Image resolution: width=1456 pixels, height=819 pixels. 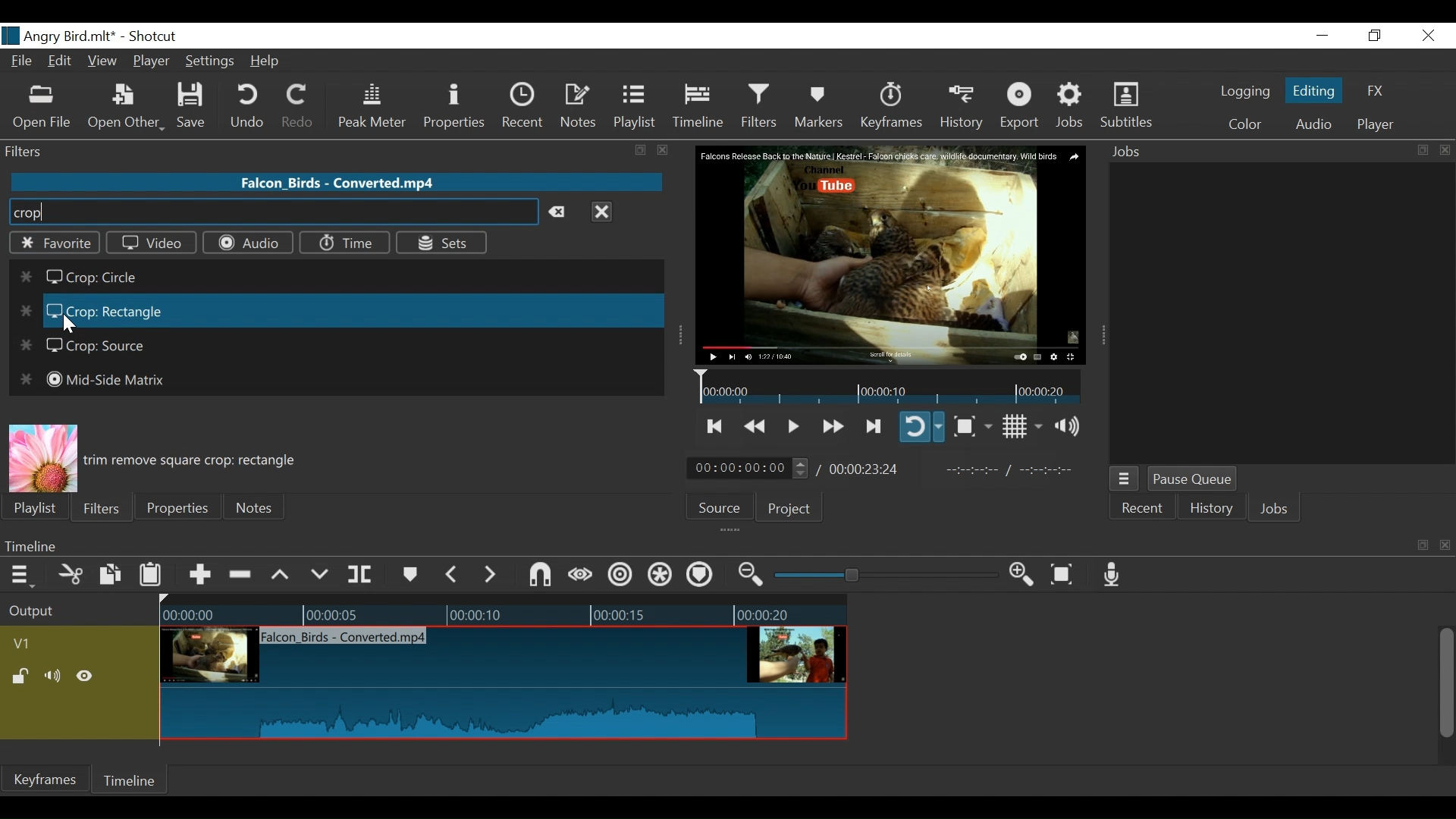 What do you see at coordinates (890, 106) in the screenshot?
I see `Keyframes` at bounding box center [890, 106].